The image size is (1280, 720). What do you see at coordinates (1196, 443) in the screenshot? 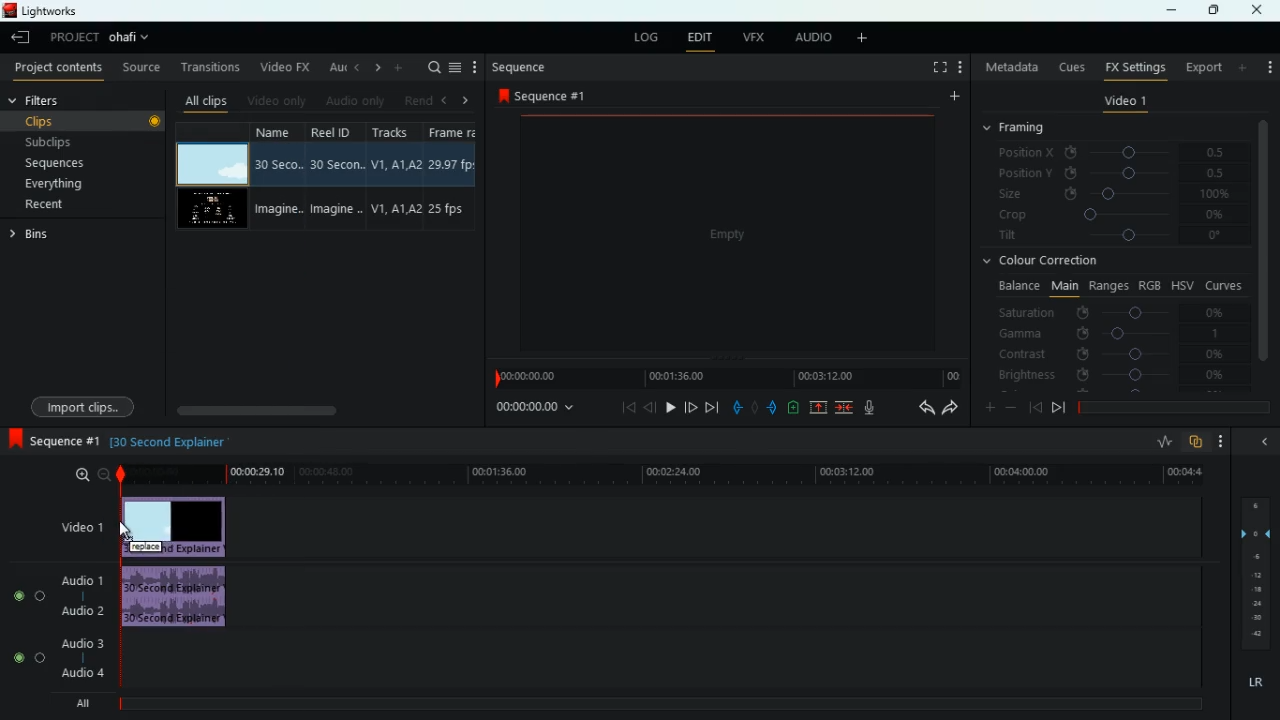
I see `overlap` at bounding box center [1196, 443].